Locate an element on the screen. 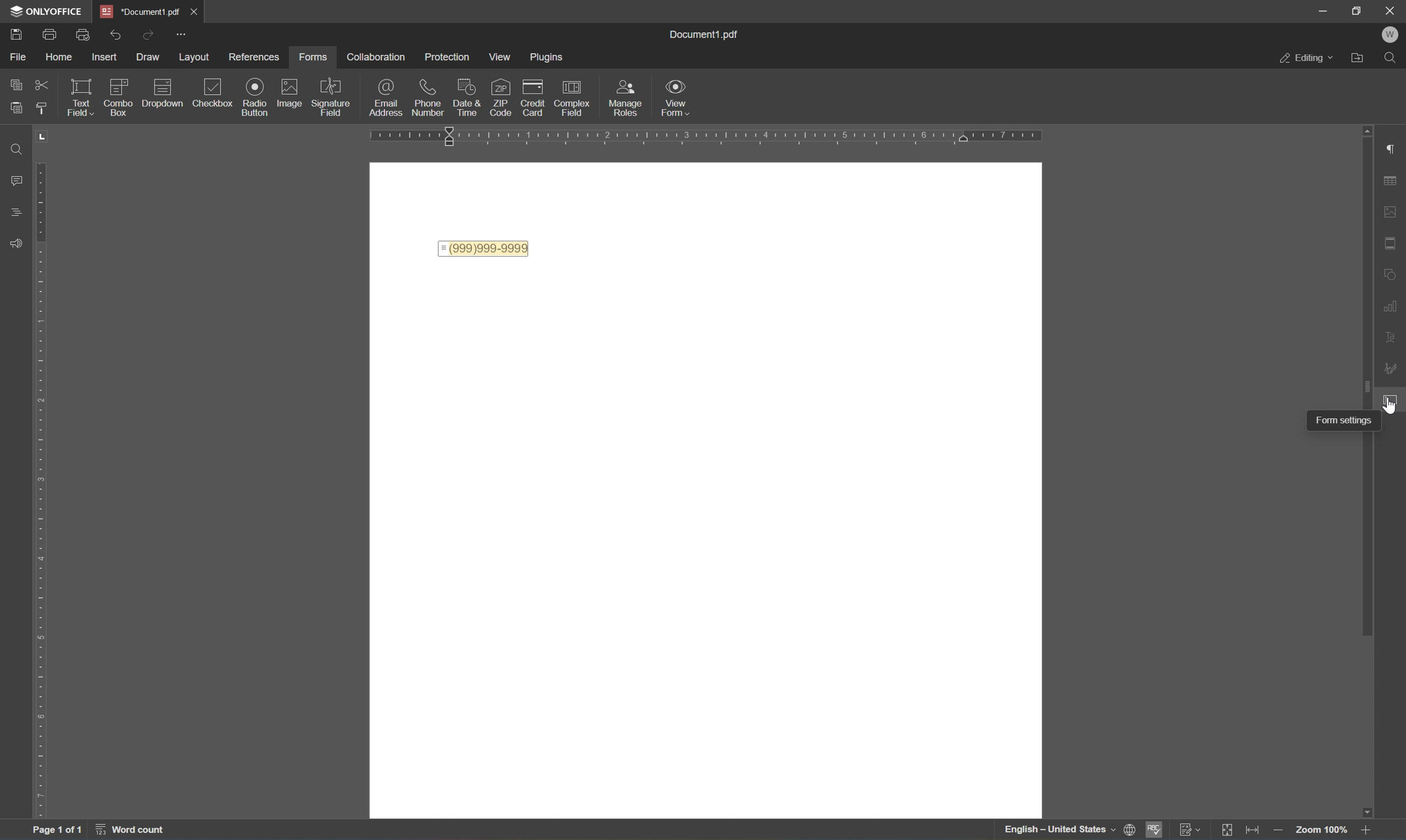 This screenshot has width=1406, height=840. layout is located at coordinates (196, 57).